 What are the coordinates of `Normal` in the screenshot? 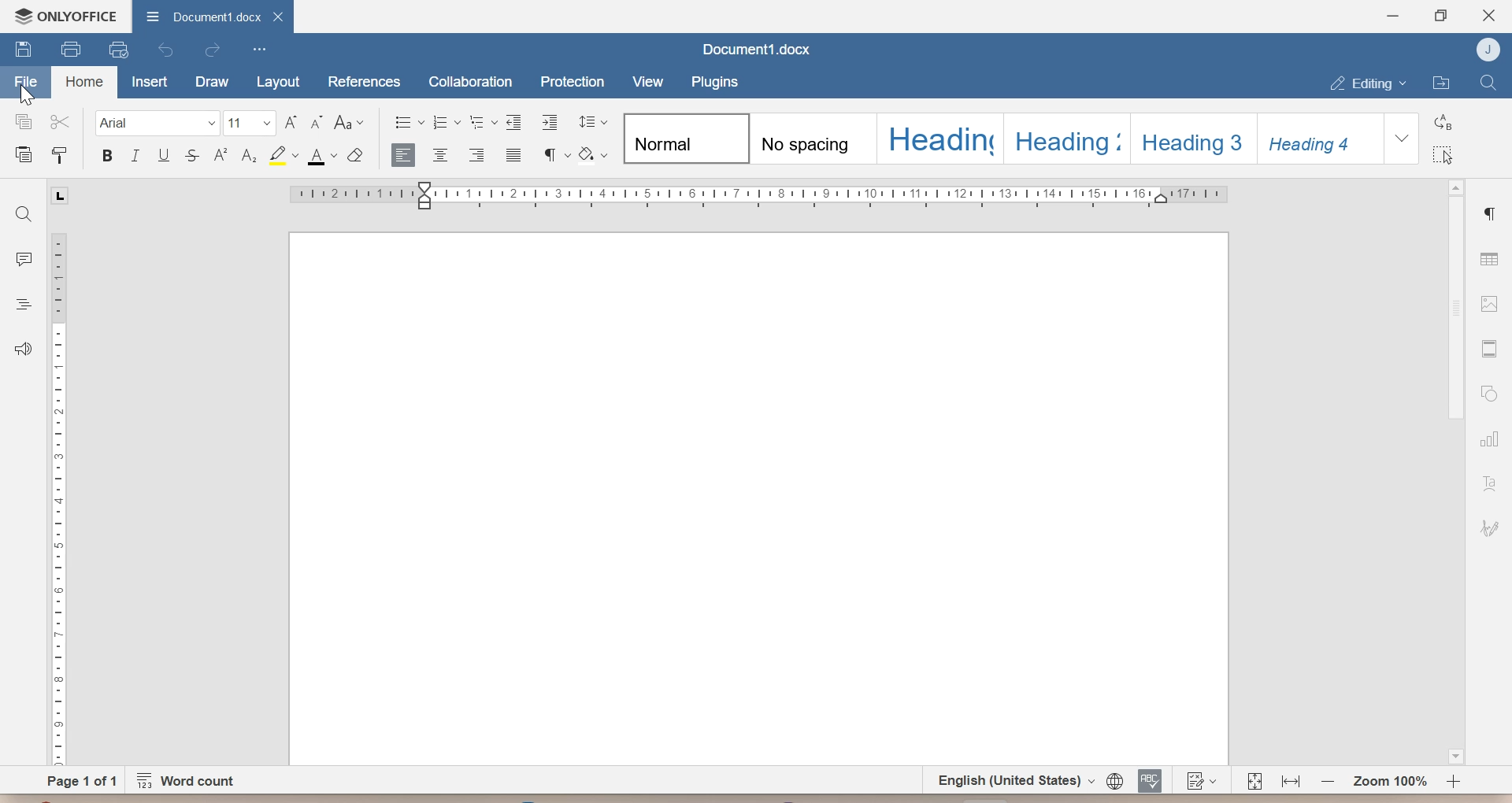 It's located at (687, 137).